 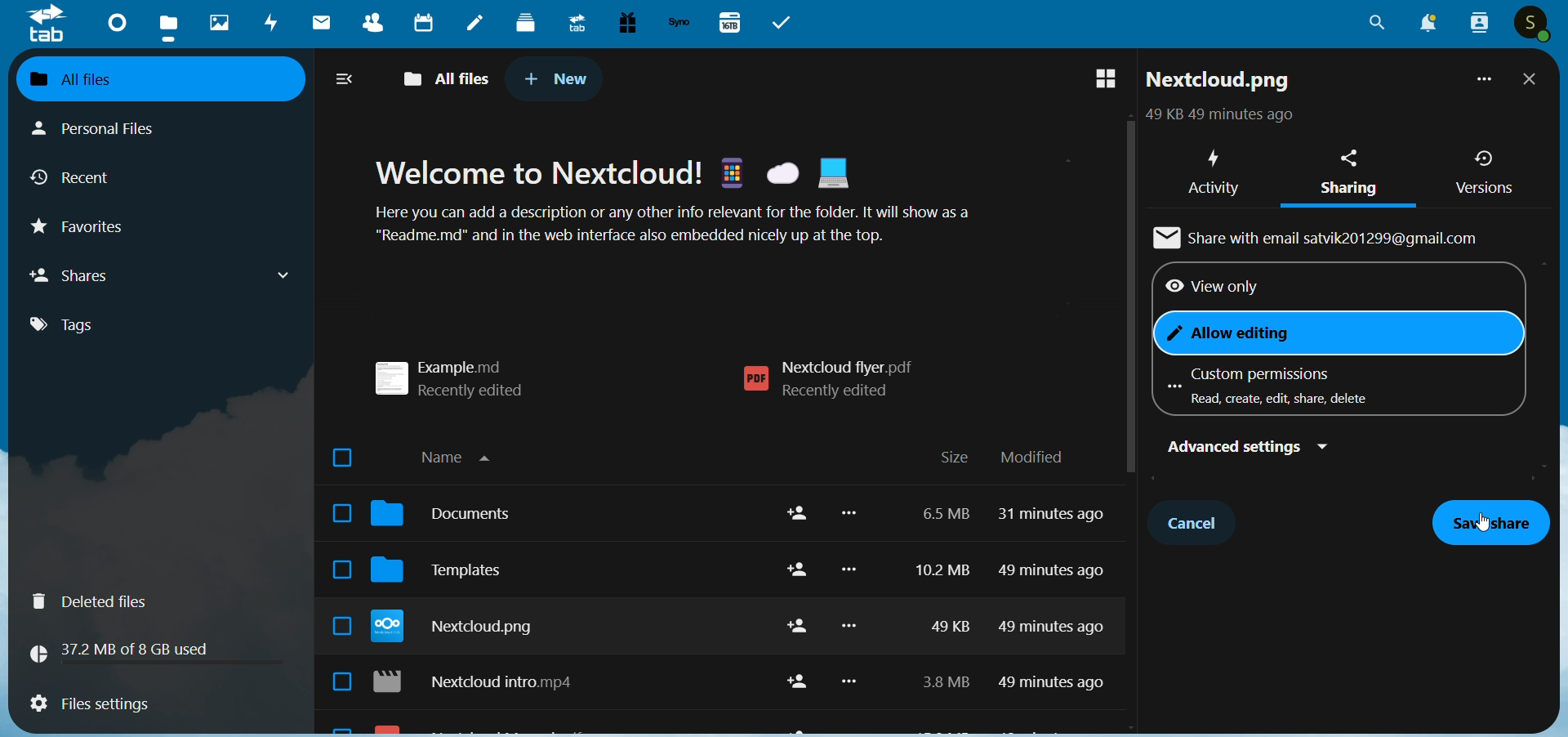 What do you see at coordinates (557, 78) in the screenshot?
I see `new tab` at bounding box center [557, 78].